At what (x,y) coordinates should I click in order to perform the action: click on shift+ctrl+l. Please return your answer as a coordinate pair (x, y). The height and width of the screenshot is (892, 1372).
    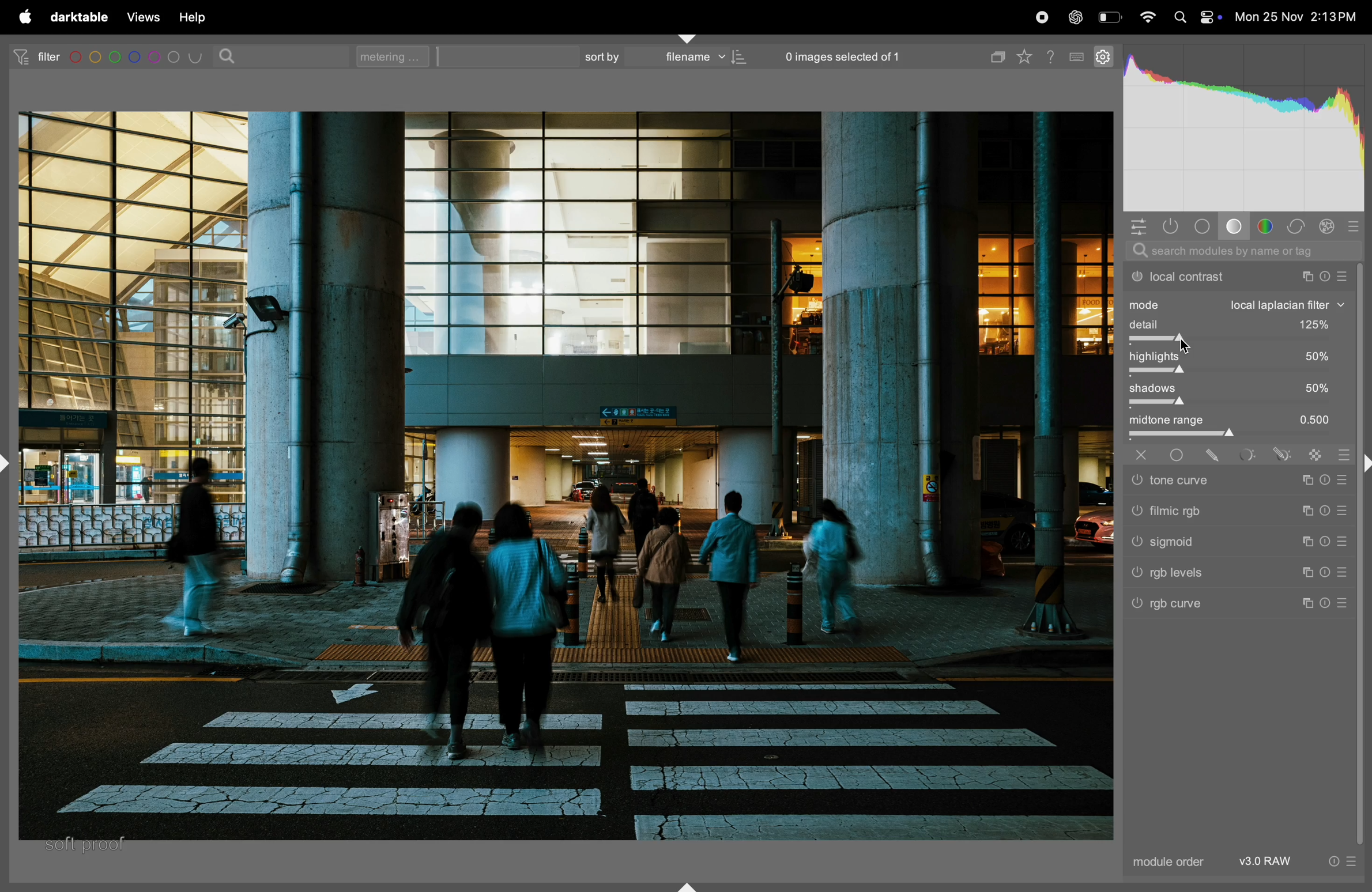
    Looking at the image, I should click on (10, 462).